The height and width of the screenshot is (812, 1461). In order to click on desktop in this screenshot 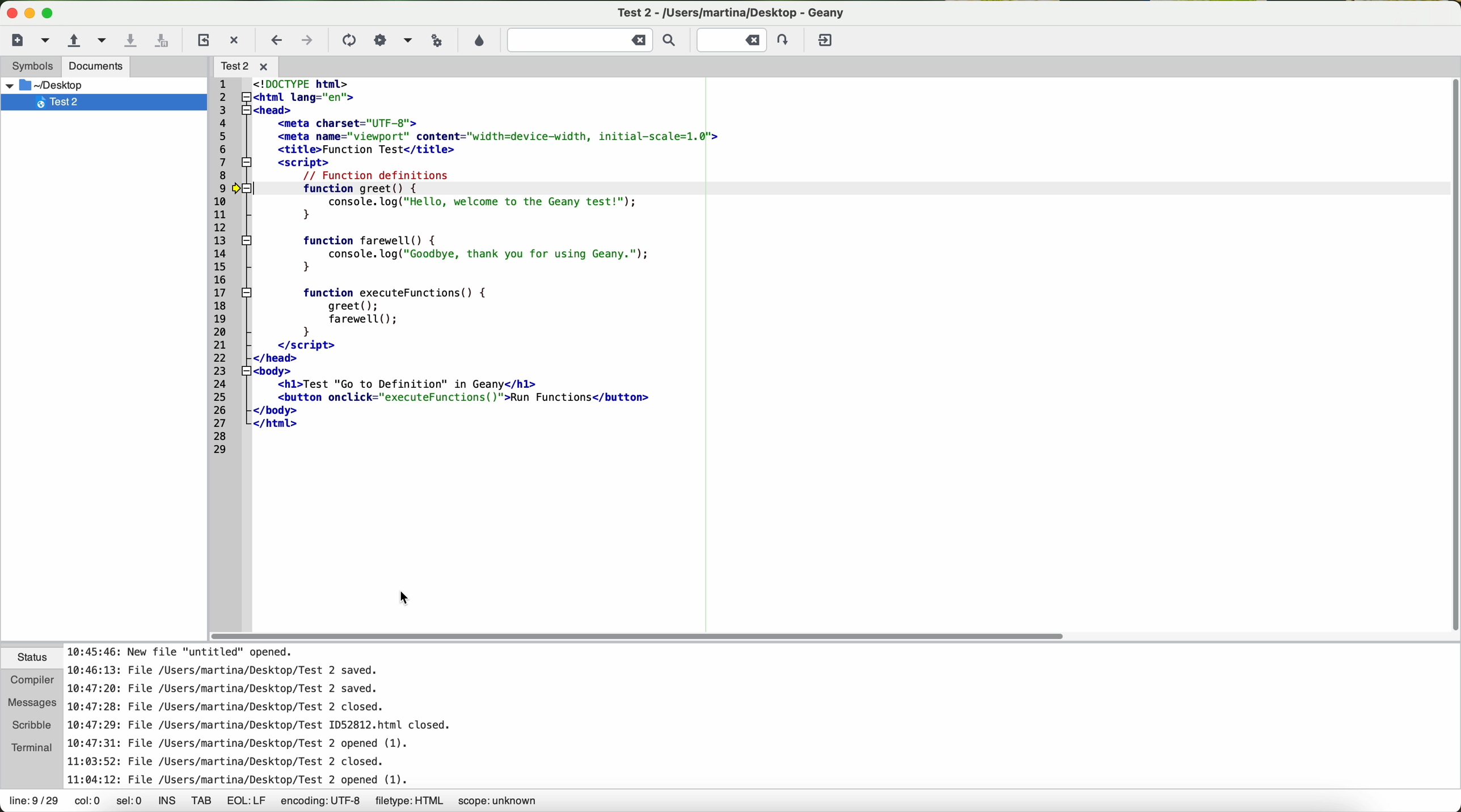, I will do `click(67, 85)`.